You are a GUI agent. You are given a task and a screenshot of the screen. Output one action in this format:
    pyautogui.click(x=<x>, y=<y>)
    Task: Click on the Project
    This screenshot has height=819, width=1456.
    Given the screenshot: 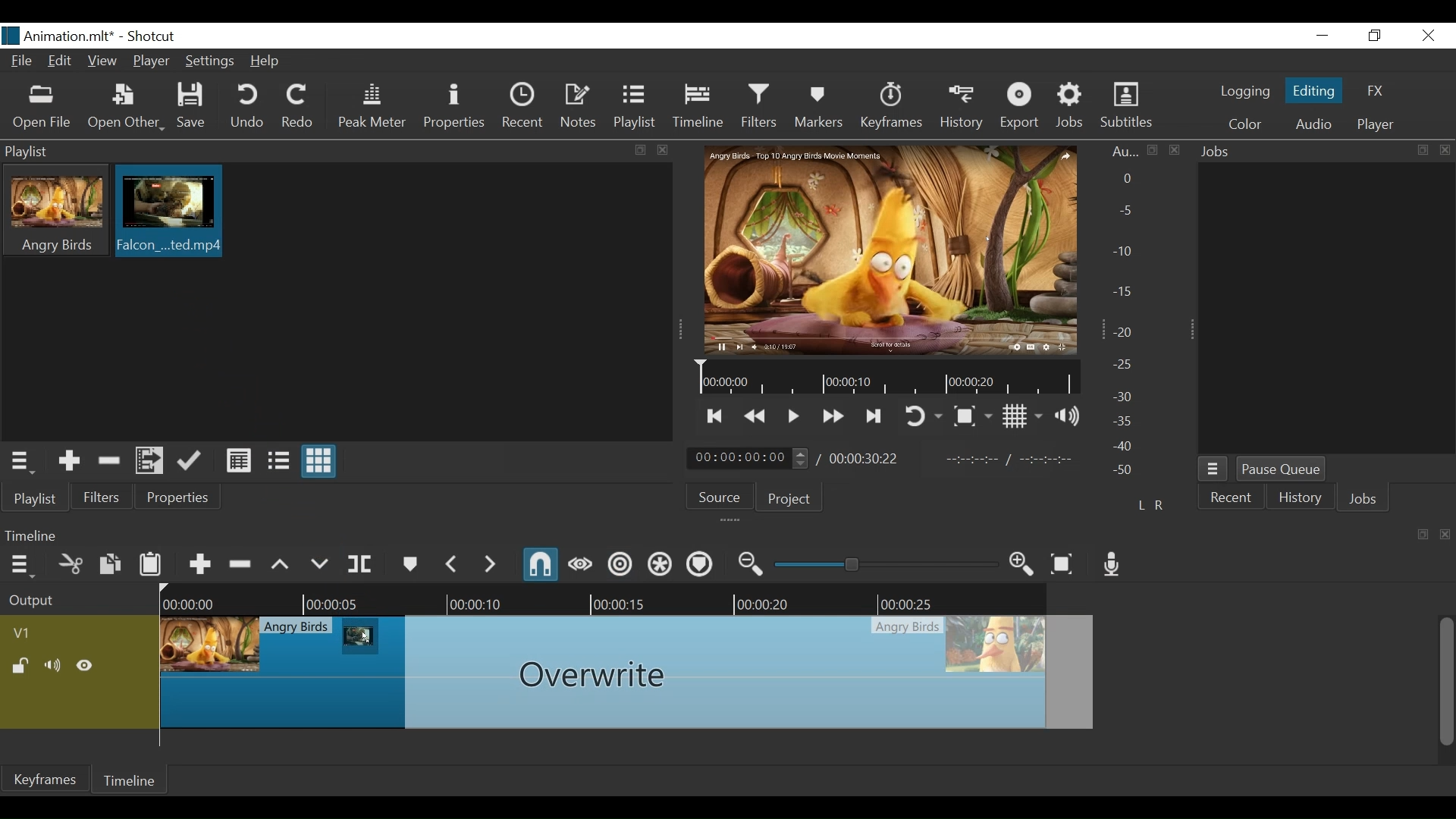 What is the action you would take?
    pyautogui.click(x=789, y=500)
    